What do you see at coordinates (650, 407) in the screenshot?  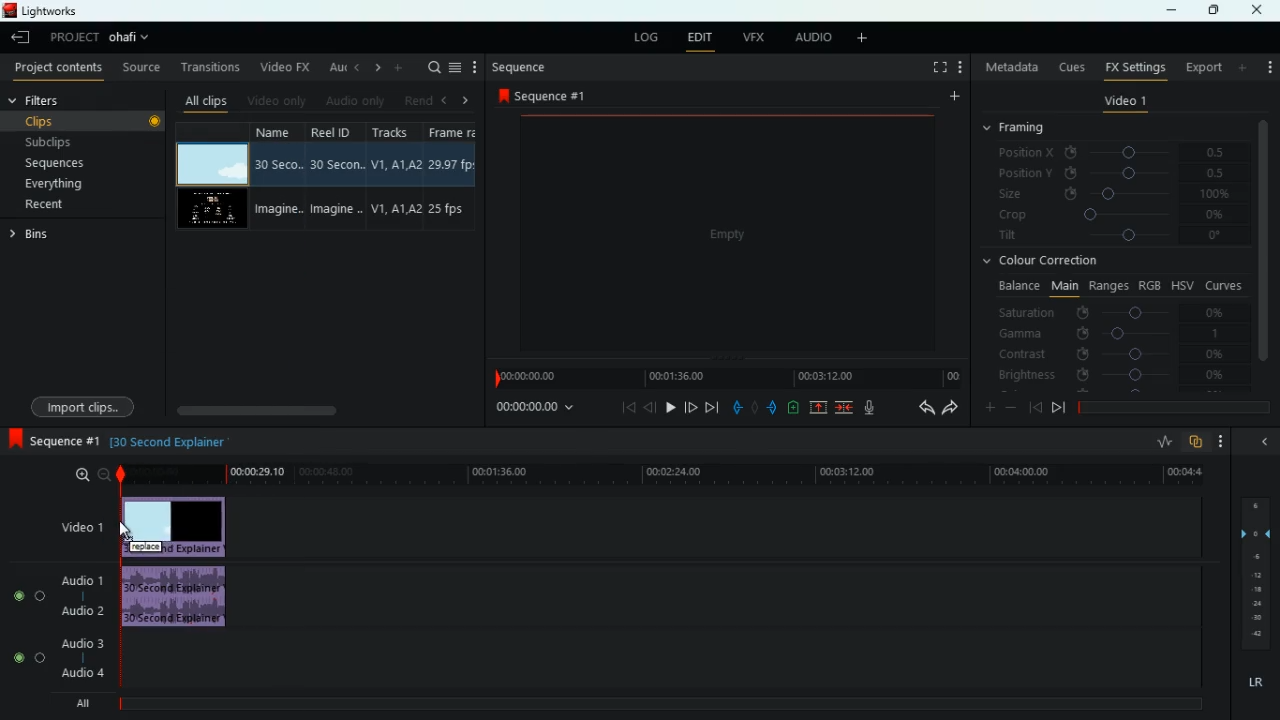 I see `back` at bounding box center [650, 407].